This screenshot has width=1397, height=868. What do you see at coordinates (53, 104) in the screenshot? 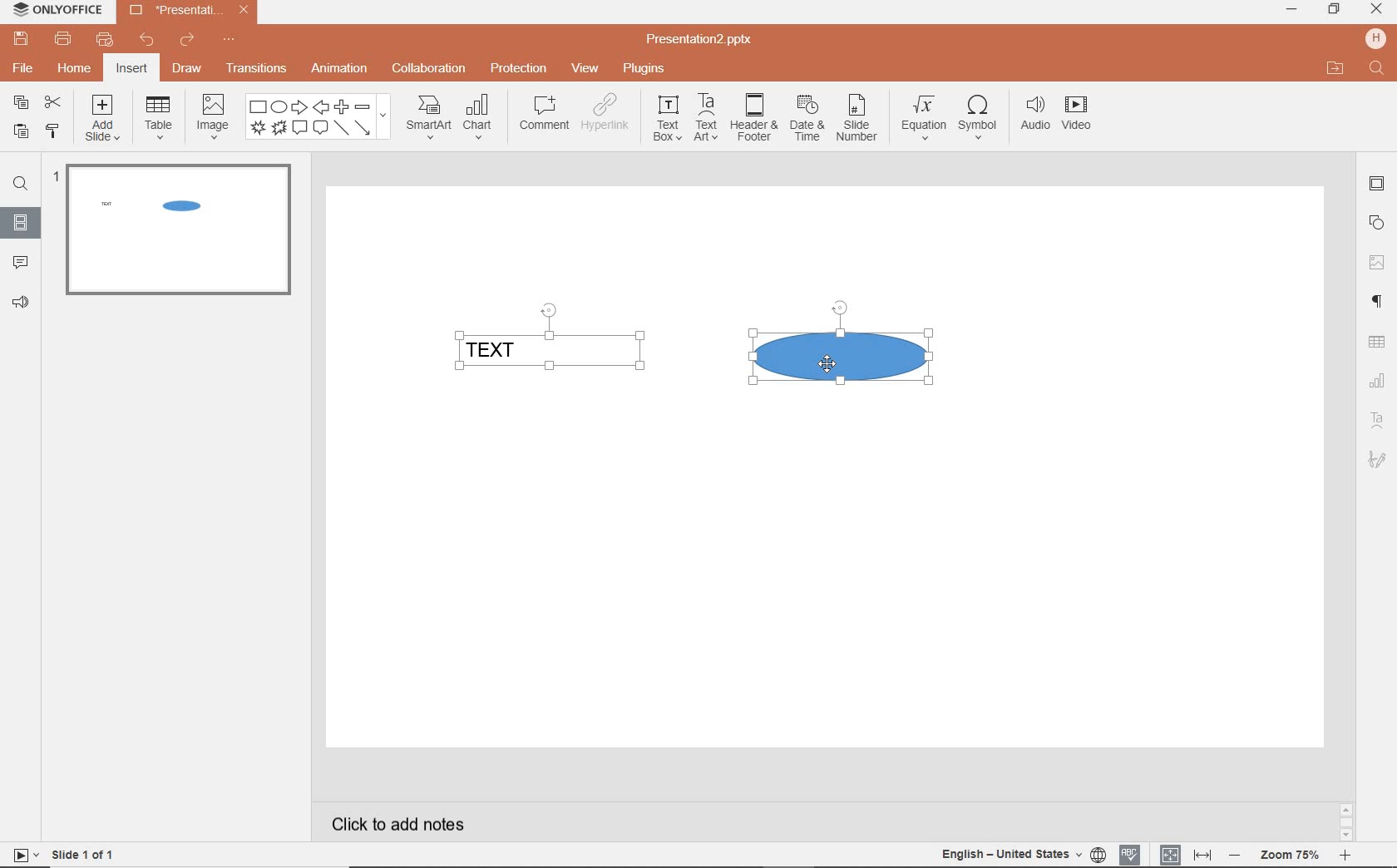
I see `cut` at bounding box center [53, 104].